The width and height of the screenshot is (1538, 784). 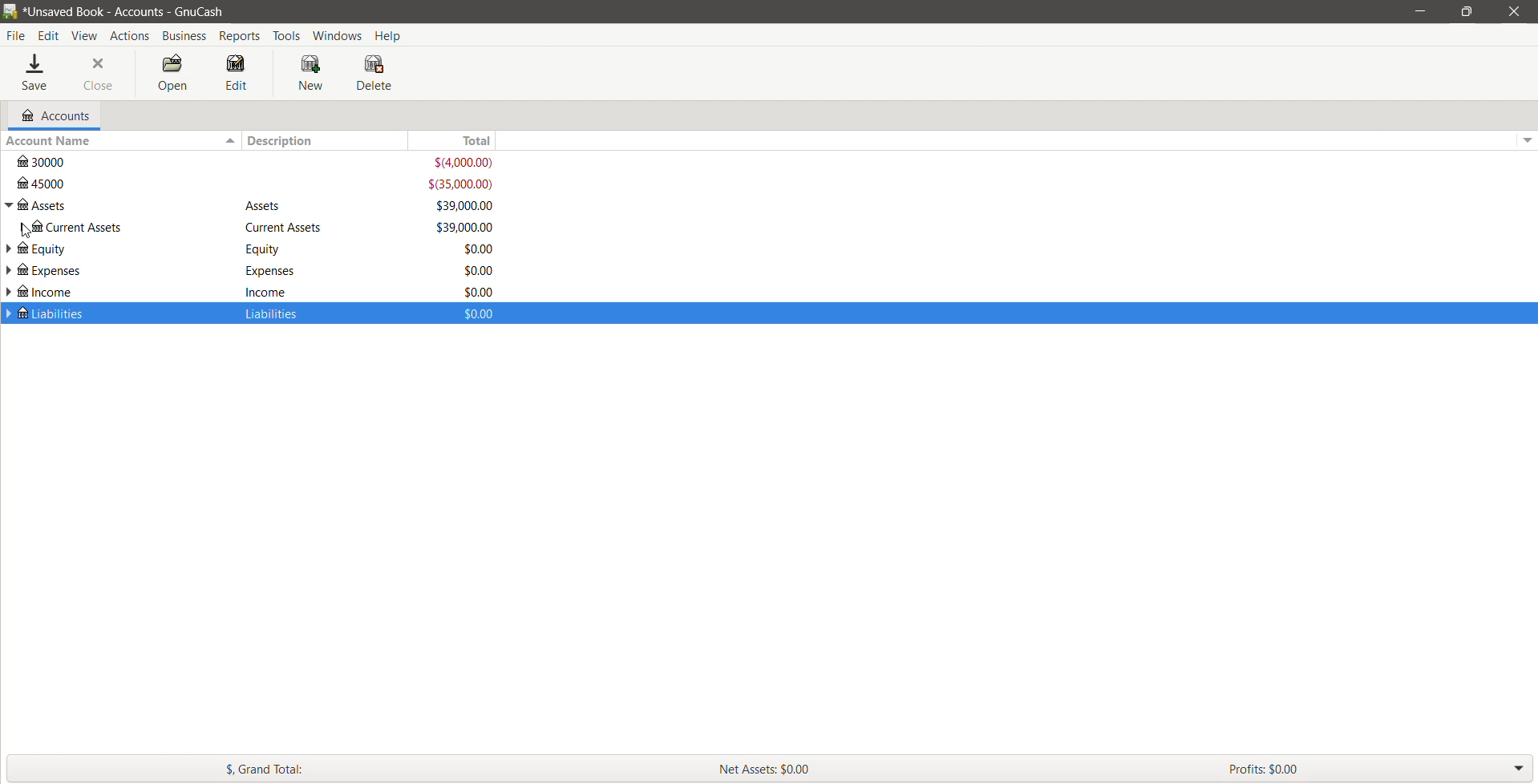 What do you see at coordinates (278, 290) in the screenshot?
I see `Liabilties` at bounding box center [278, 290].